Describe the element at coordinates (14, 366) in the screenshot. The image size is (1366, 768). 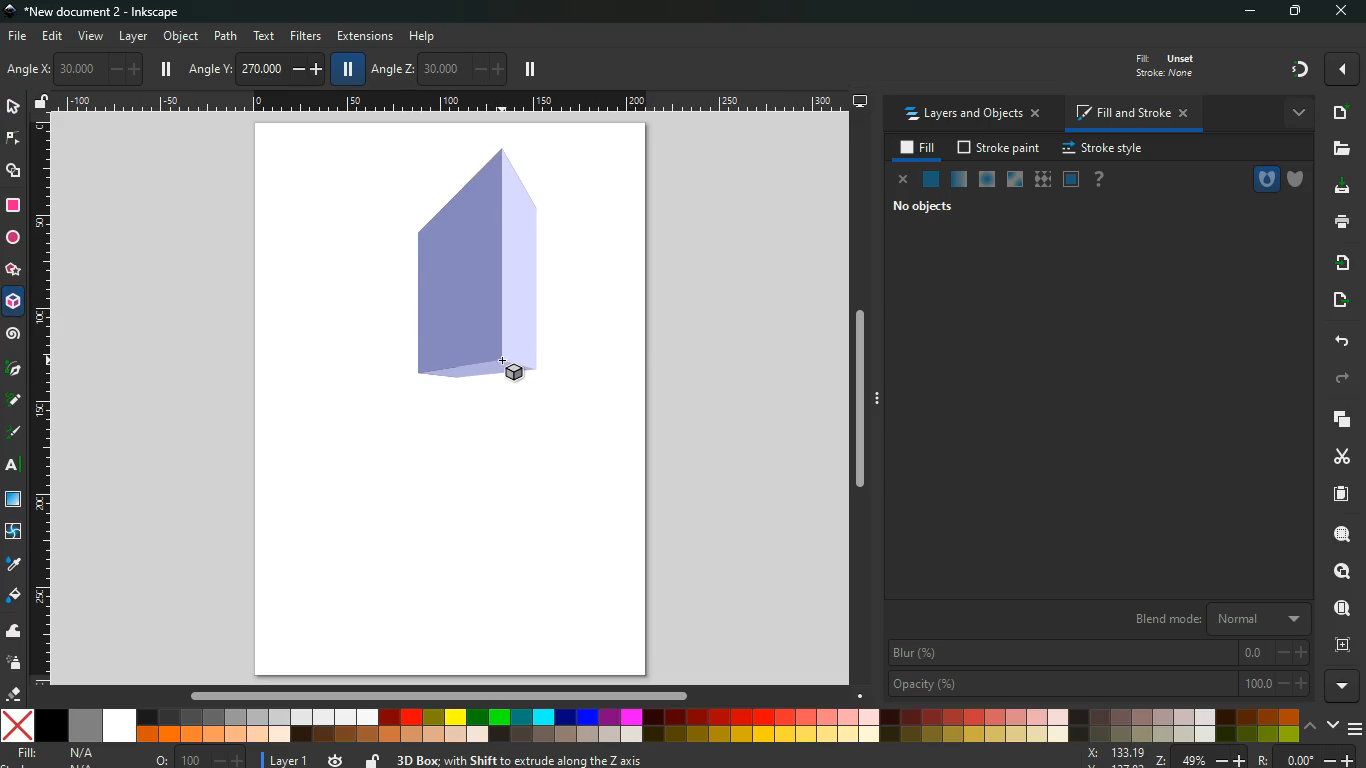
I see `Pic` at that location.